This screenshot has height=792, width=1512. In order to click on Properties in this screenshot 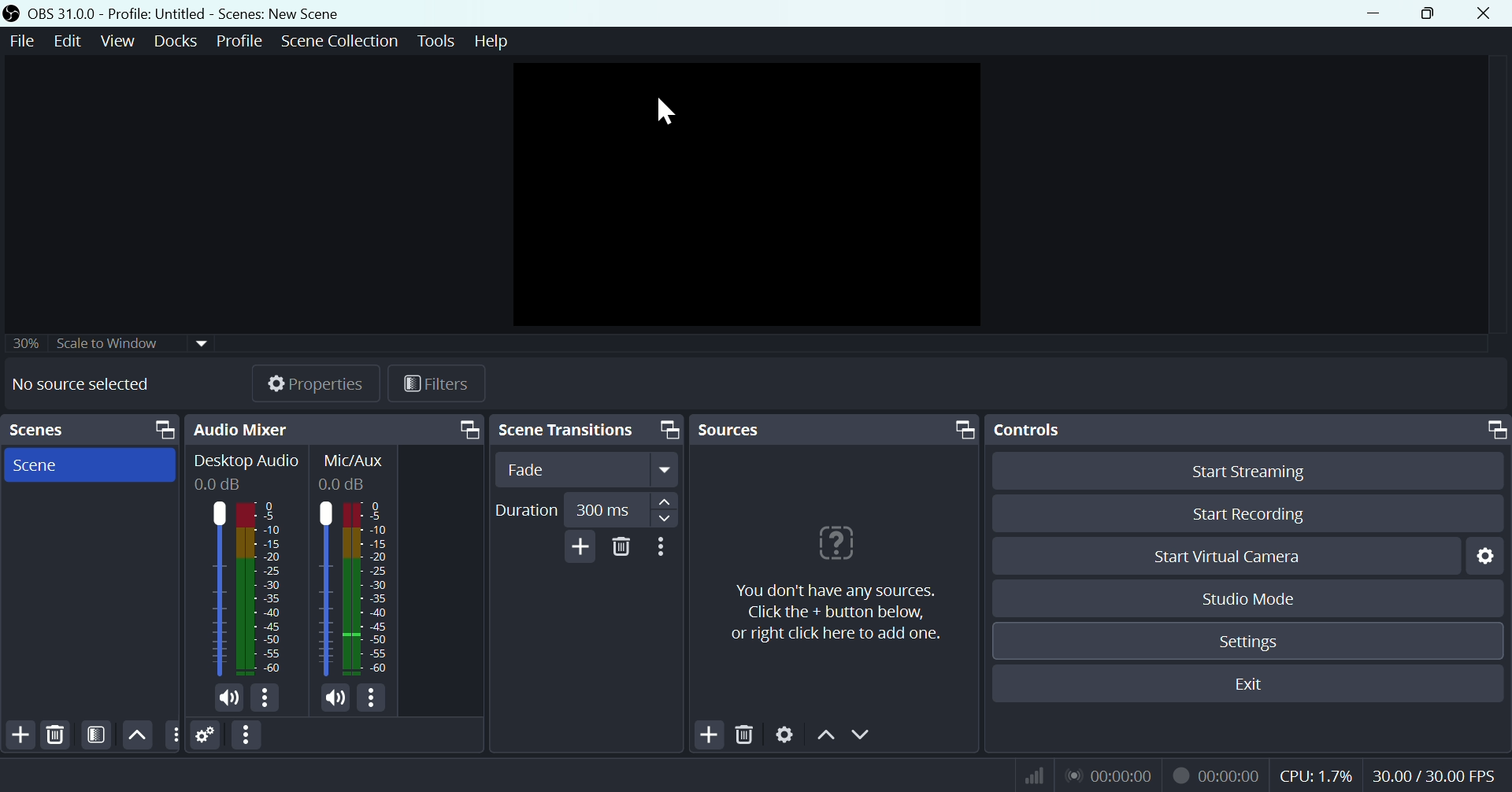, I will do `click(315, 383)`.